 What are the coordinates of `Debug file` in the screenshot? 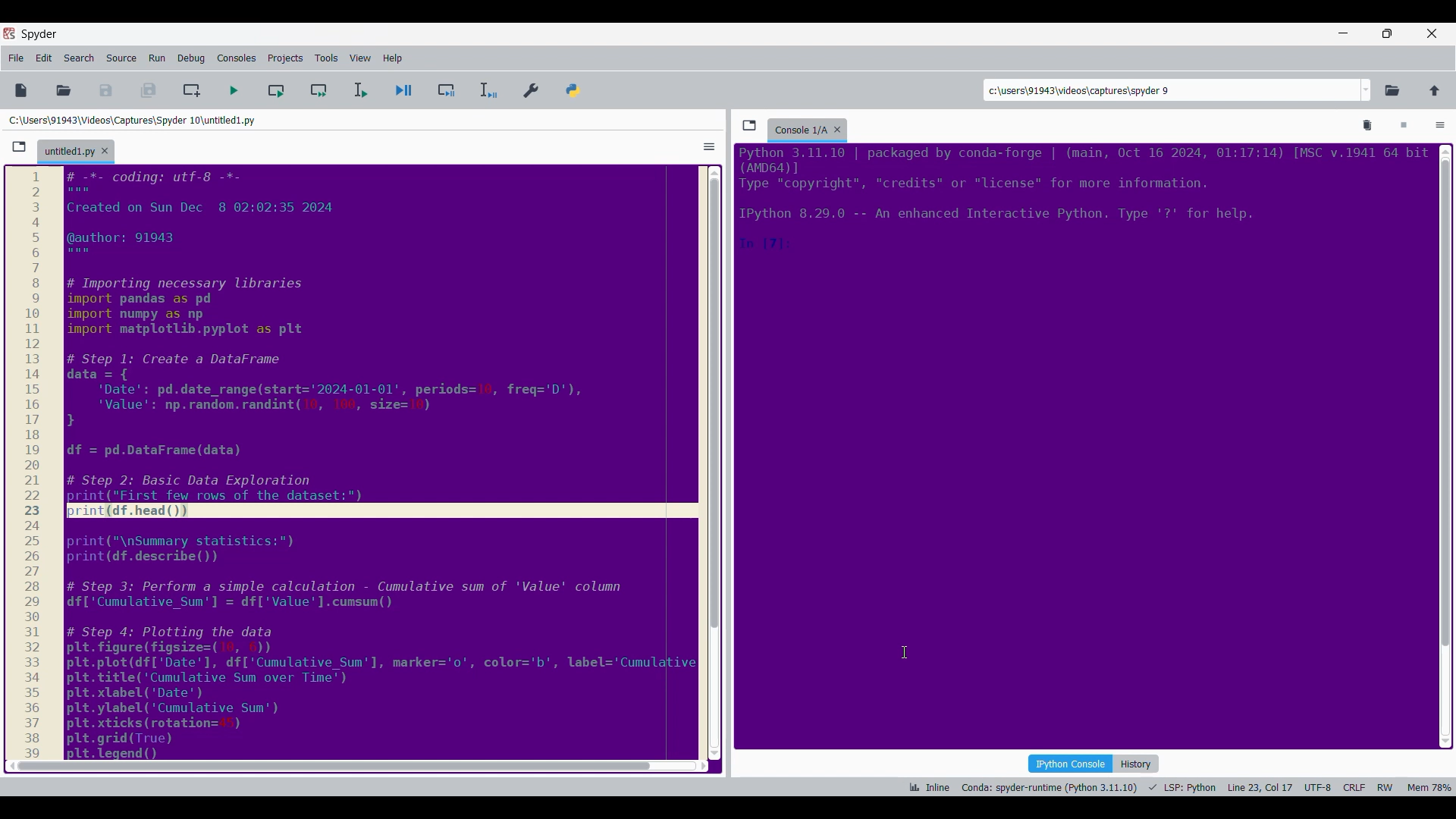 It's located at (404, 91).